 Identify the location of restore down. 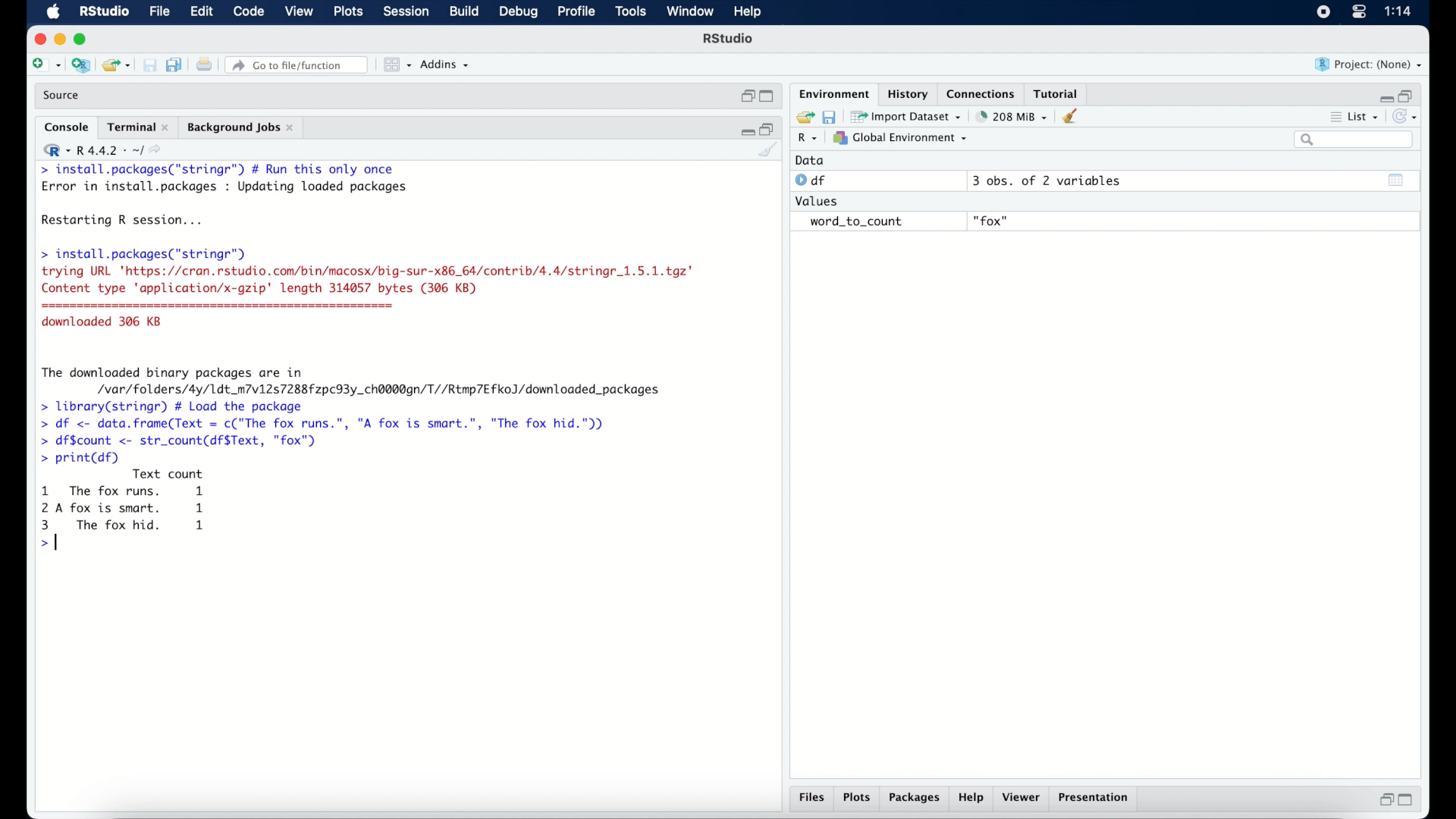
(746, 96).